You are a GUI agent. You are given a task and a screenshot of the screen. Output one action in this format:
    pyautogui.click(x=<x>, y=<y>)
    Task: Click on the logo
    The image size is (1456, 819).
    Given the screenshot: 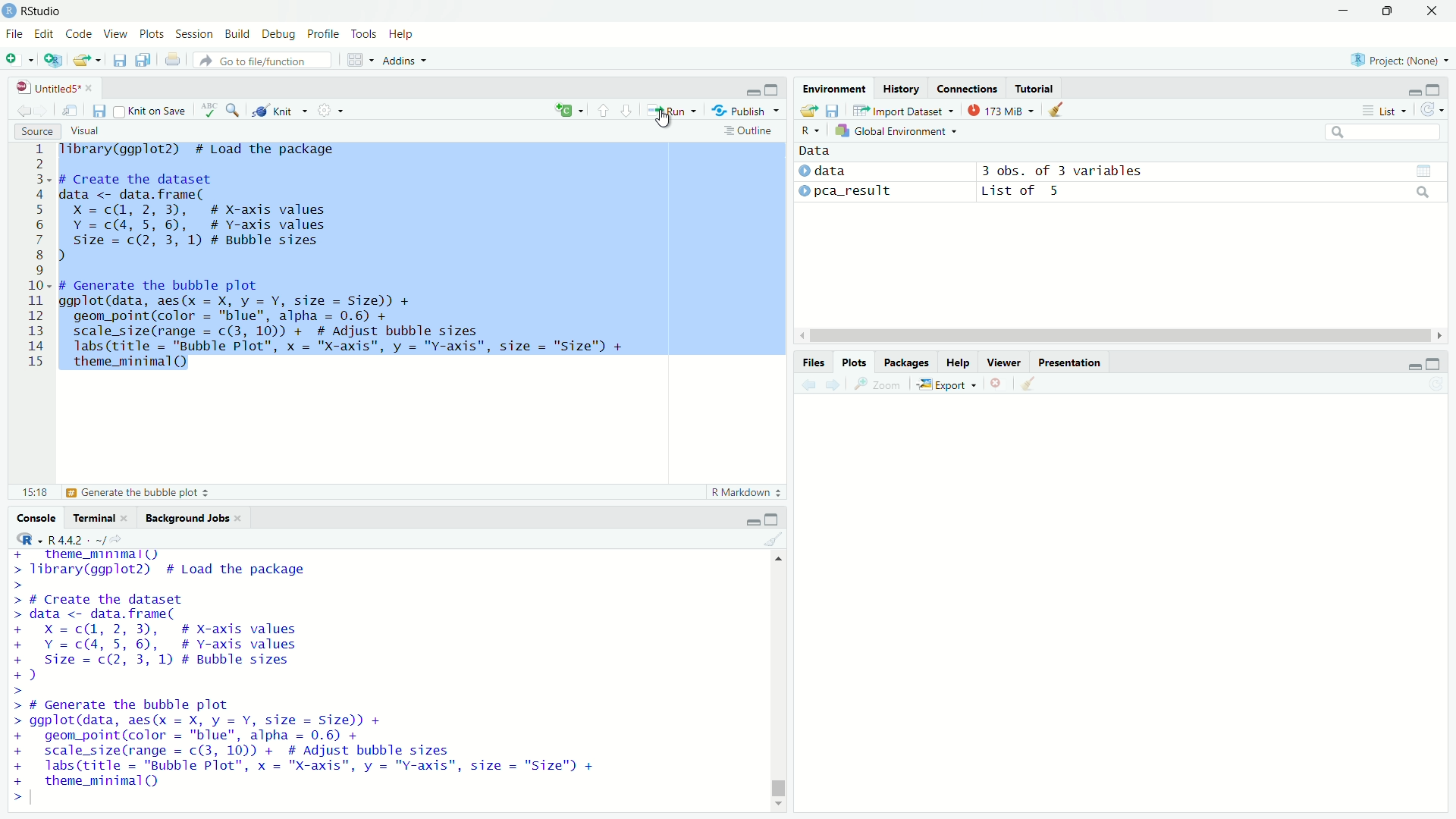 What is the action you would take?
    pyautogui.click(x=10, y=11)
    